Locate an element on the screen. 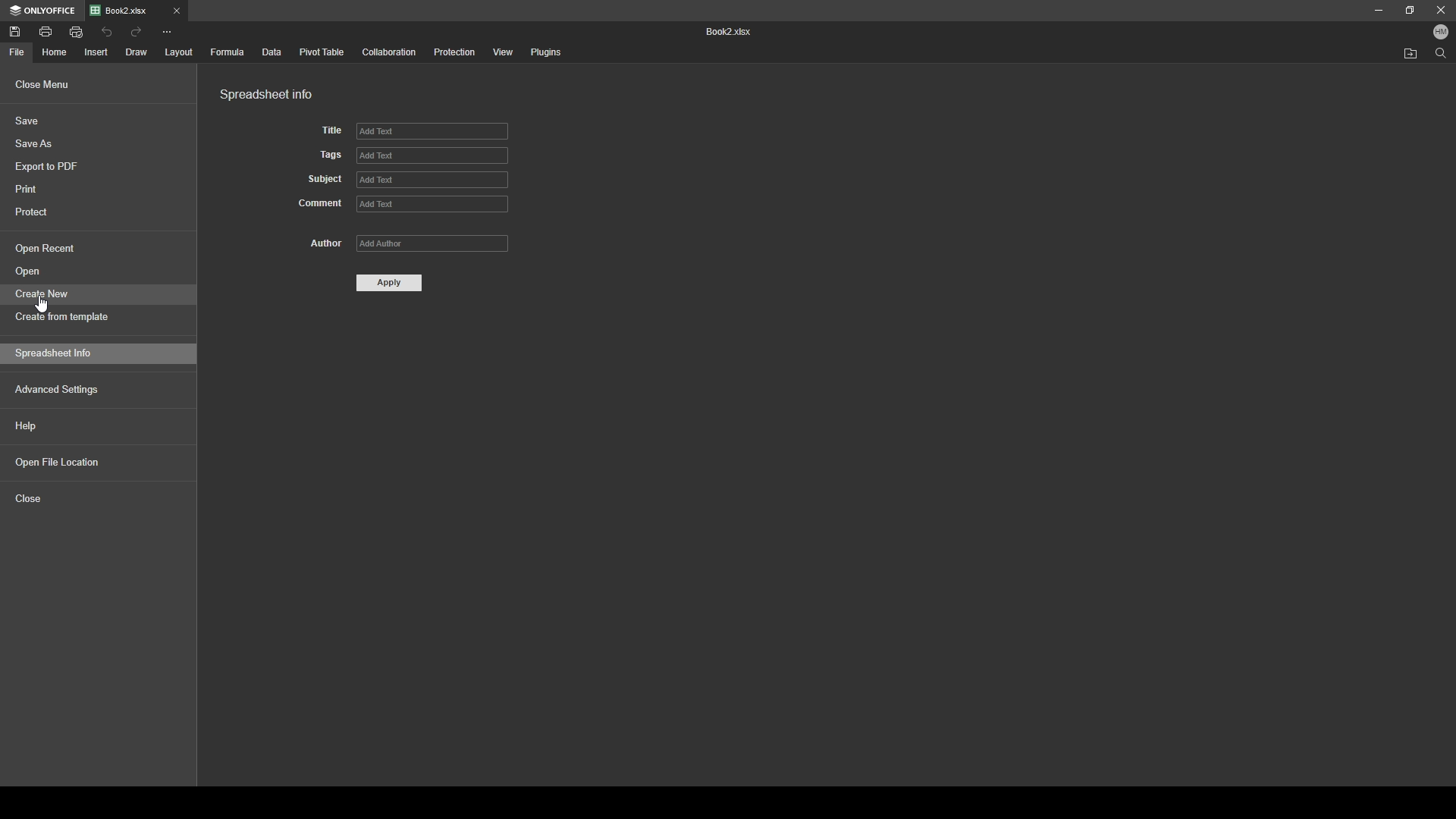 Image resolution: width=1456 pixels, height=819 pixels. add text is located at coordinates (437, 203).